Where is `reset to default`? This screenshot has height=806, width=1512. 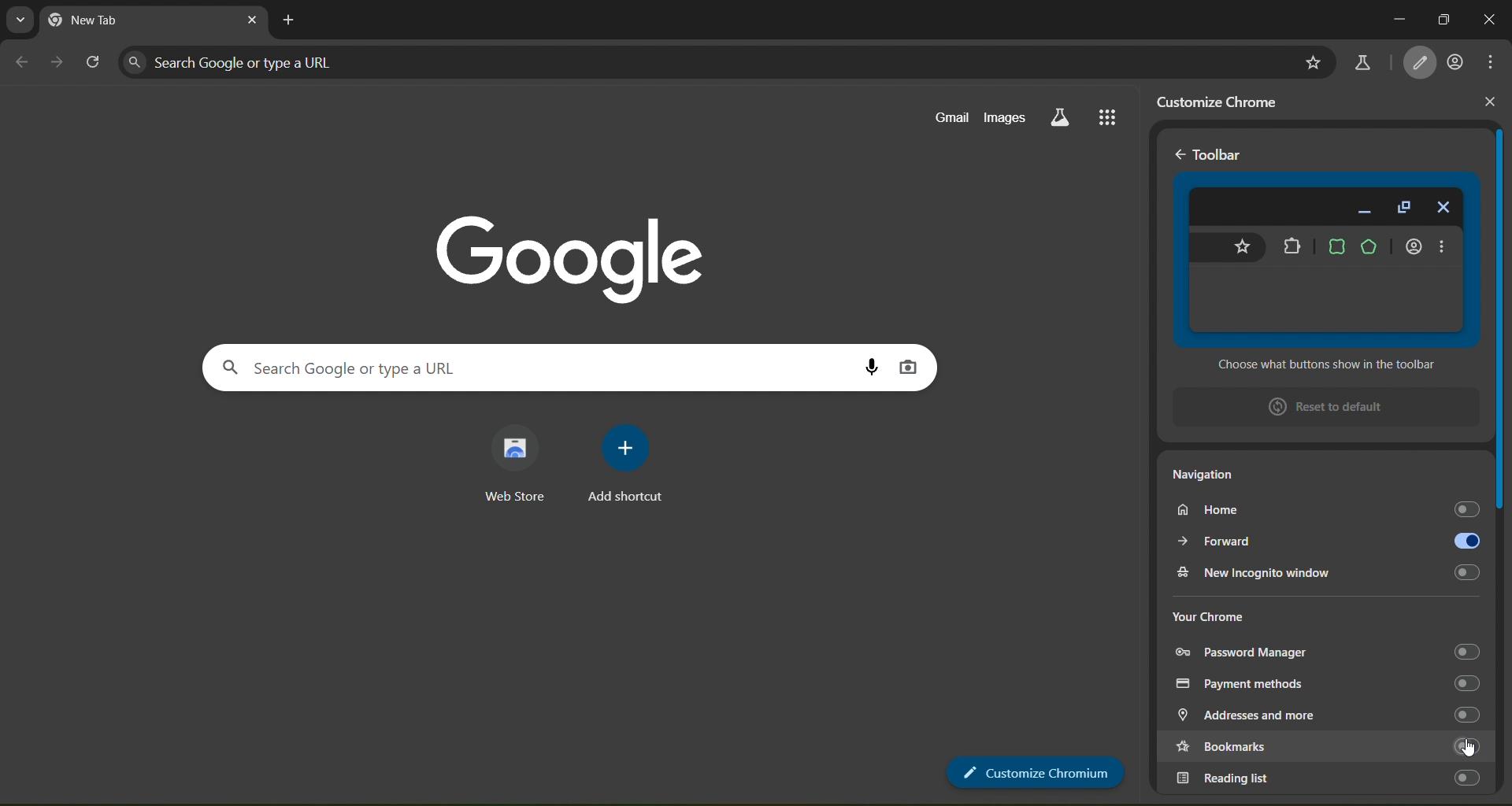 reset to default is located at coordinates (1324, 406).